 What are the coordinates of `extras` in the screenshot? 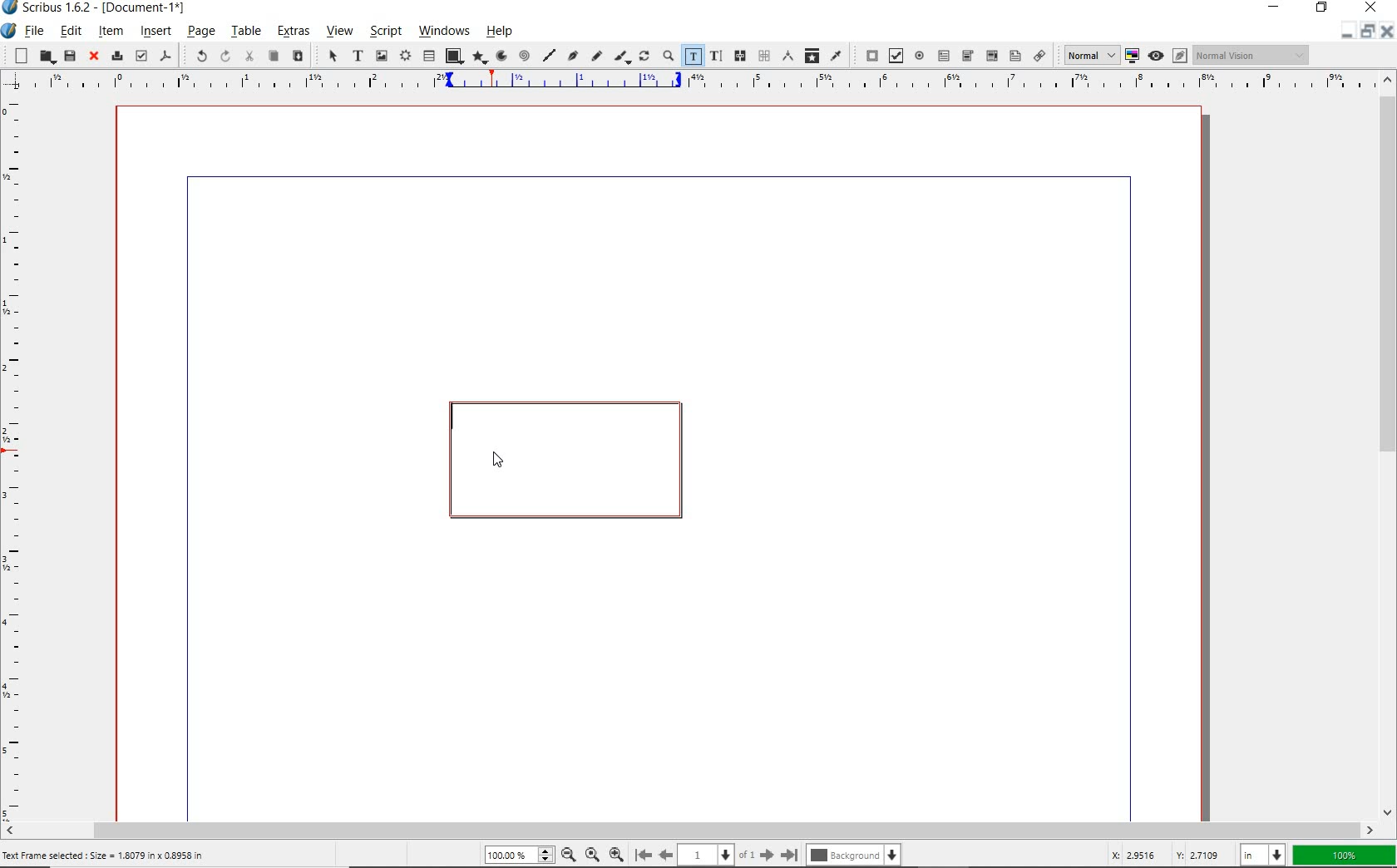 It's located at (295, 32).